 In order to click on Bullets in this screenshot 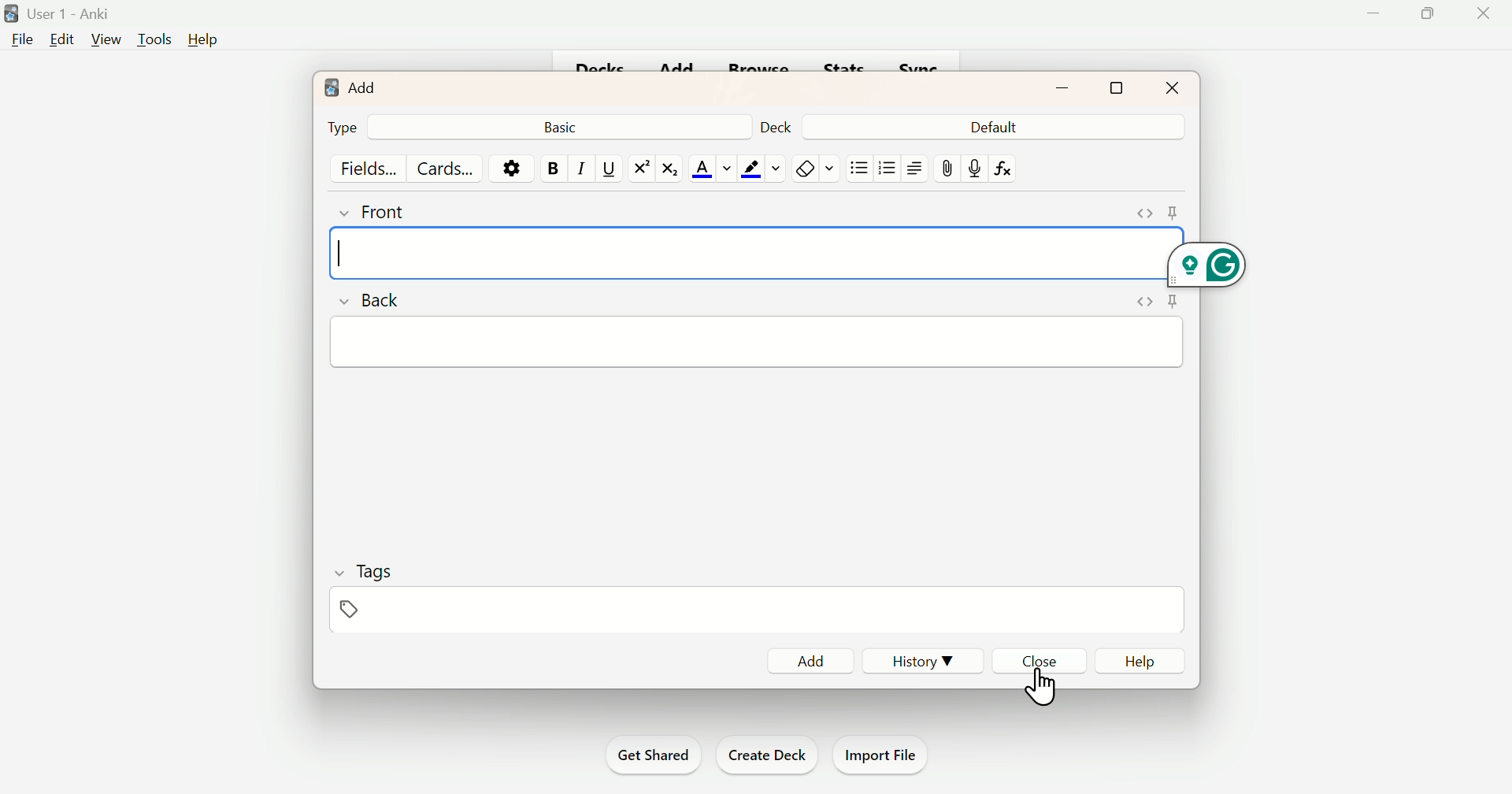, I will do `click(861, 167)`.